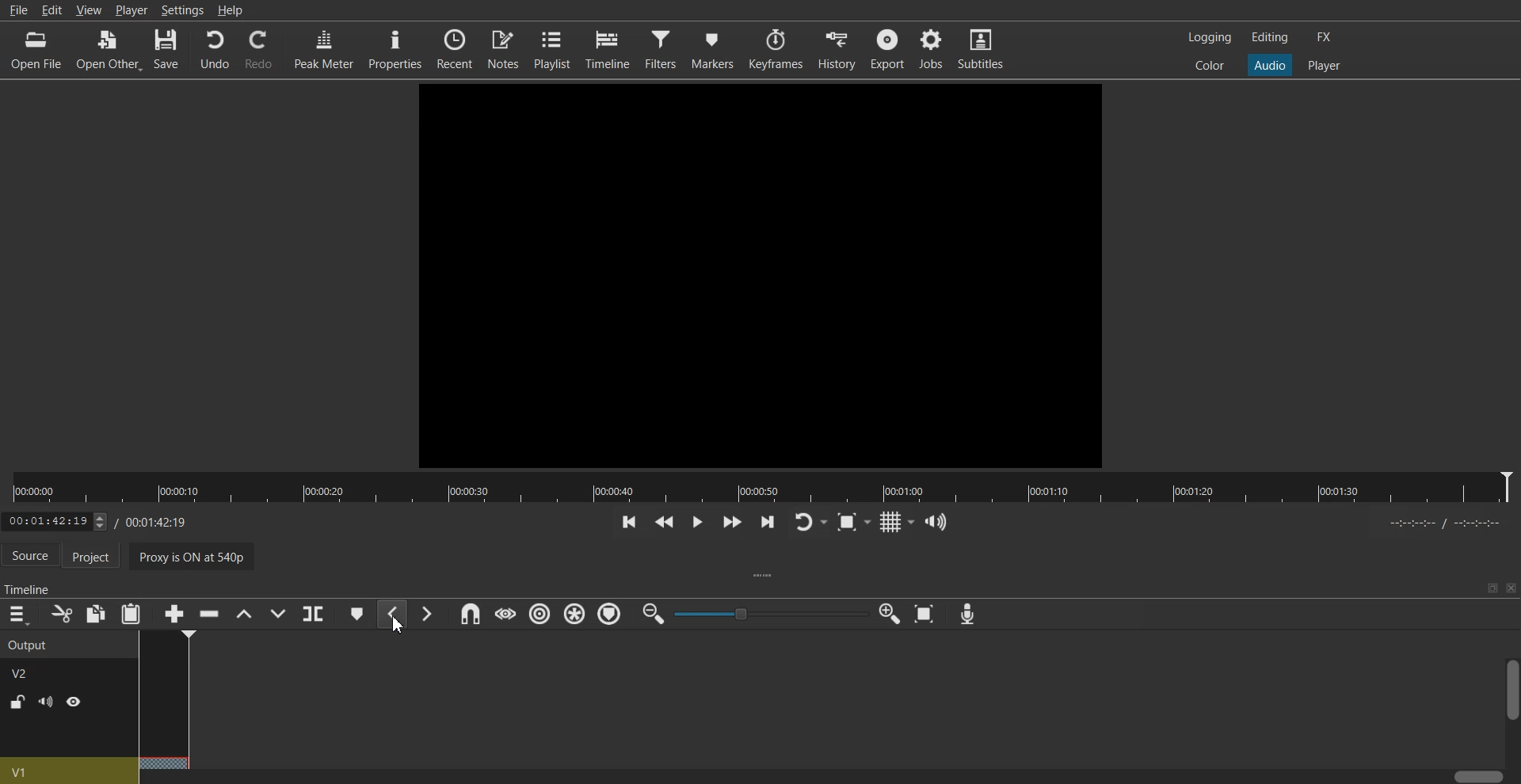 The width and height of the screenshot is (1521, 784). Describe the element at coordinates (888, 48) in the screenshot. I see `Export` at that location.